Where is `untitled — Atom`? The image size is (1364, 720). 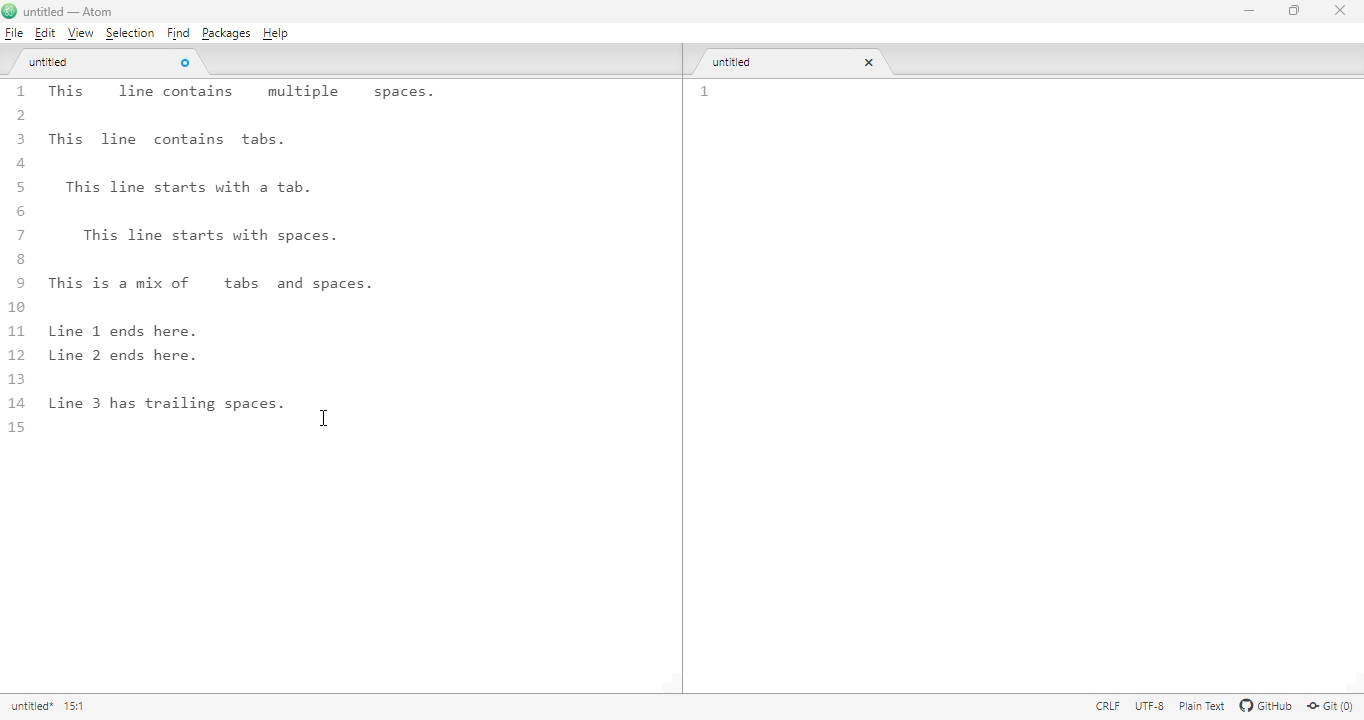 untitled — Atom is located at coordinates (75, 13).